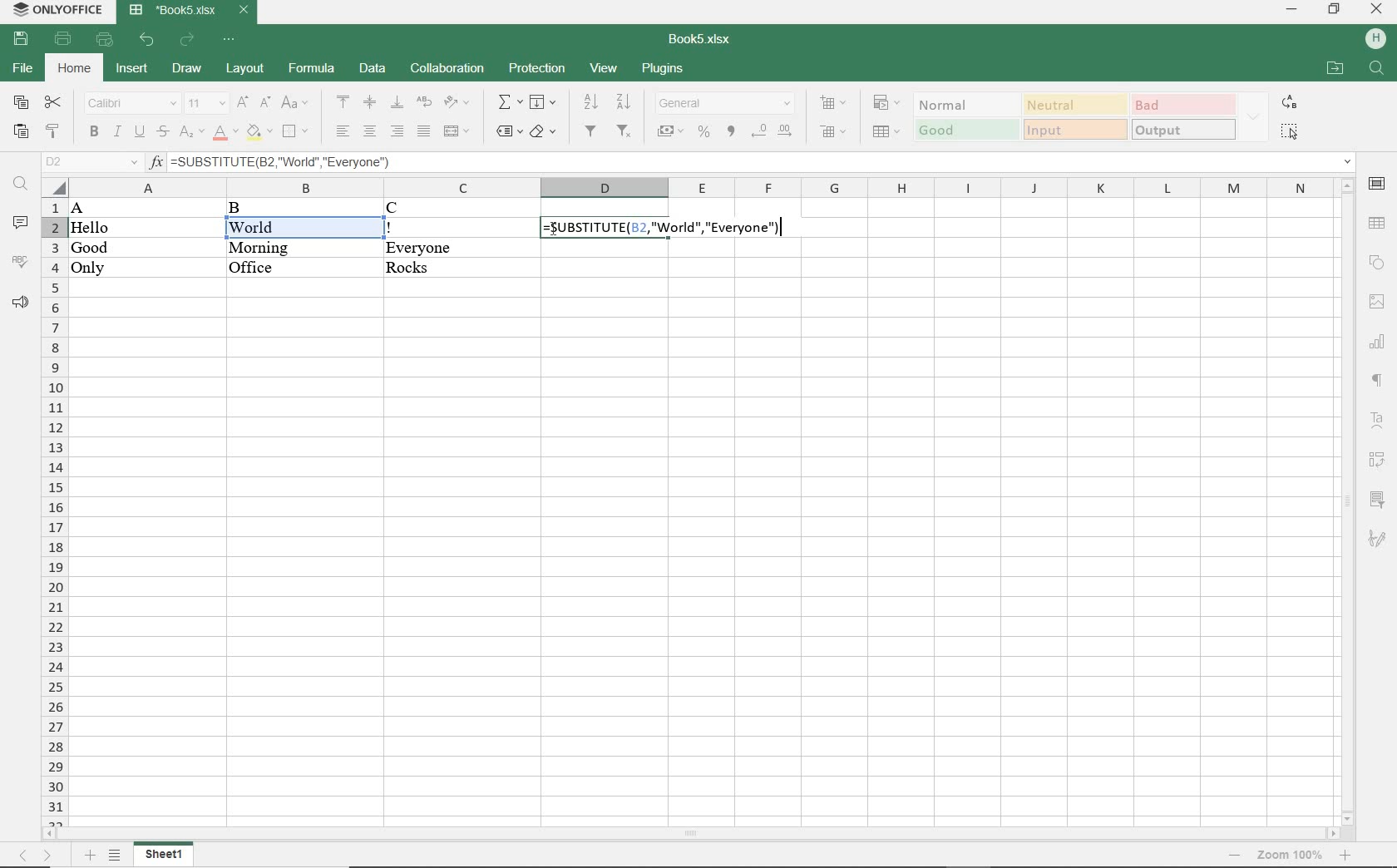 The image size is (1397, 868). What do you see at coordinates (625, 104) in the screenshot?
I see `sort descending` at bounding box center [625, 104].